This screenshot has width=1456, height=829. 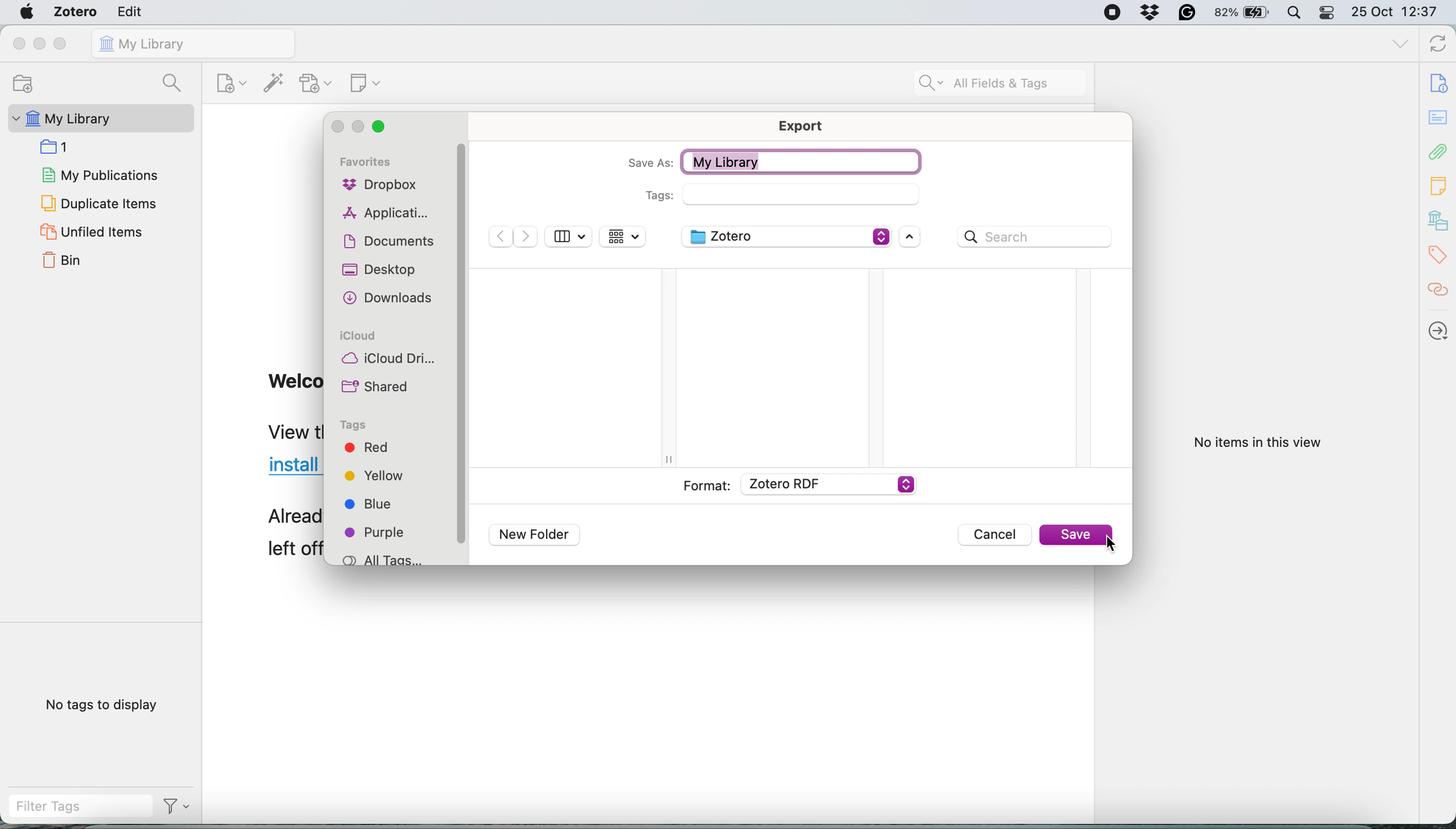 I want to click on Cancel, so click(x=995, y=533).